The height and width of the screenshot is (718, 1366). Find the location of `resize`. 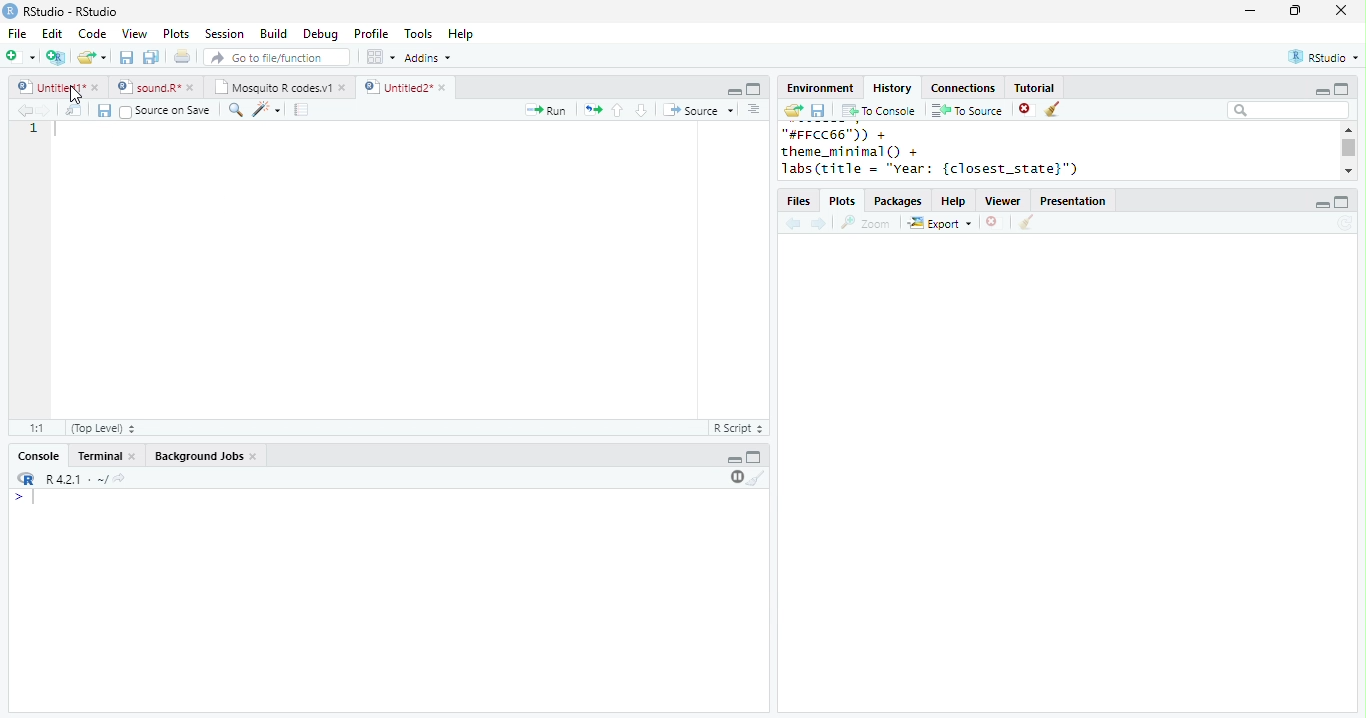

resize is located at coordinates (1295, 11).